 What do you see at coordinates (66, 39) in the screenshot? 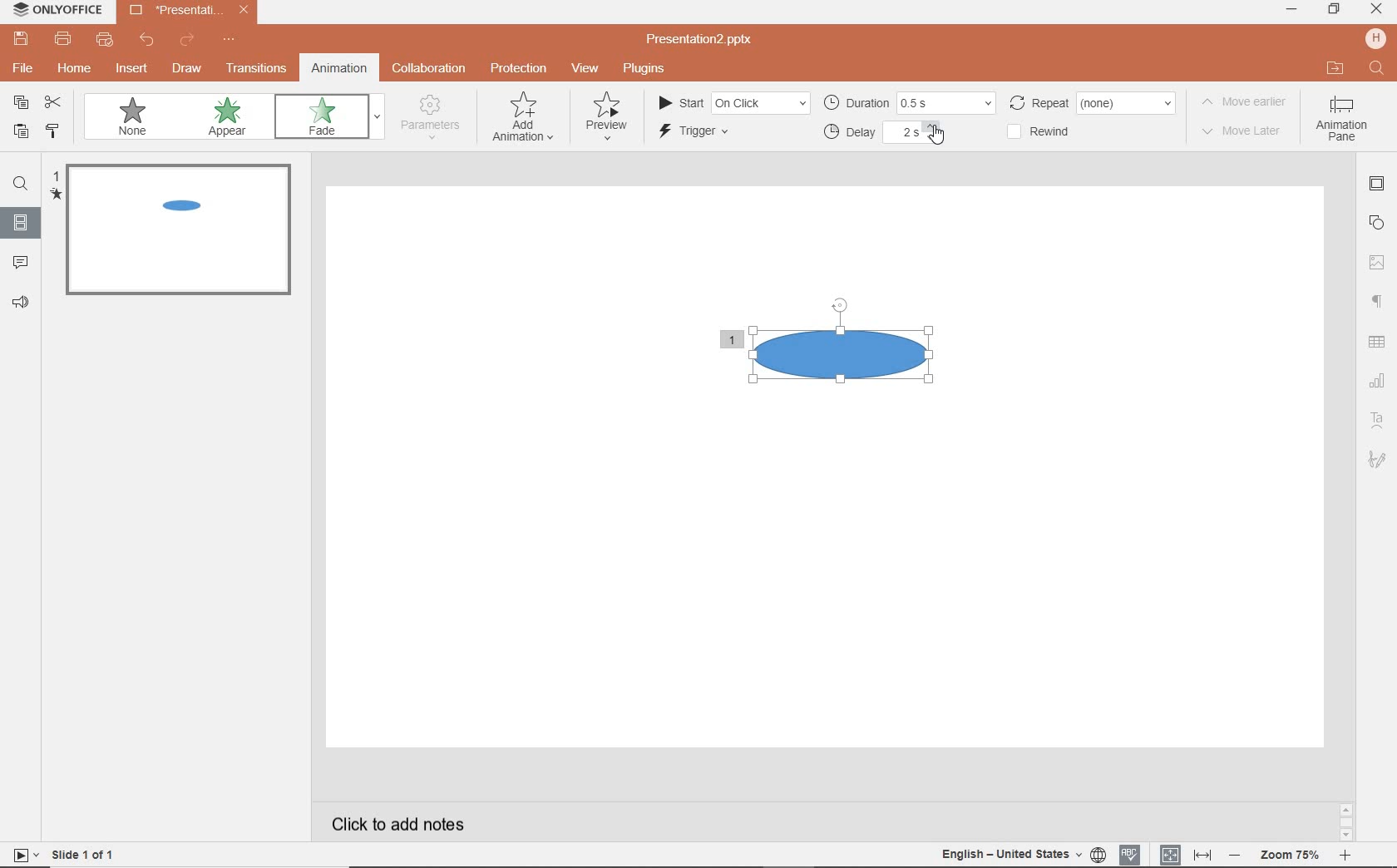
I see `print` at bounding box center [66, 39].